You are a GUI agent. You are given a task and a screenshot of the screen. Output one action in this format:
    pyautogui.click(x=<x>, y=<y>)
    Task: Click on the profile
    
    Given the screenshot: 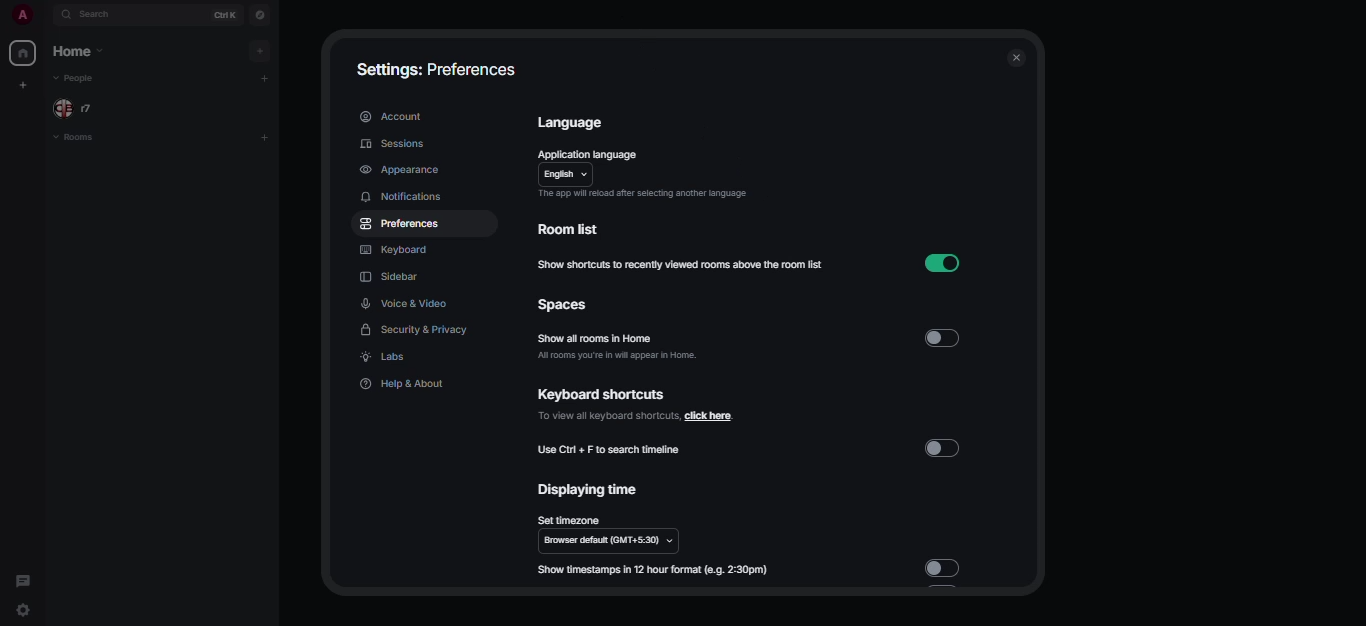 What is the action you would take?
    pyautogui.click(x=21, y=13)
    